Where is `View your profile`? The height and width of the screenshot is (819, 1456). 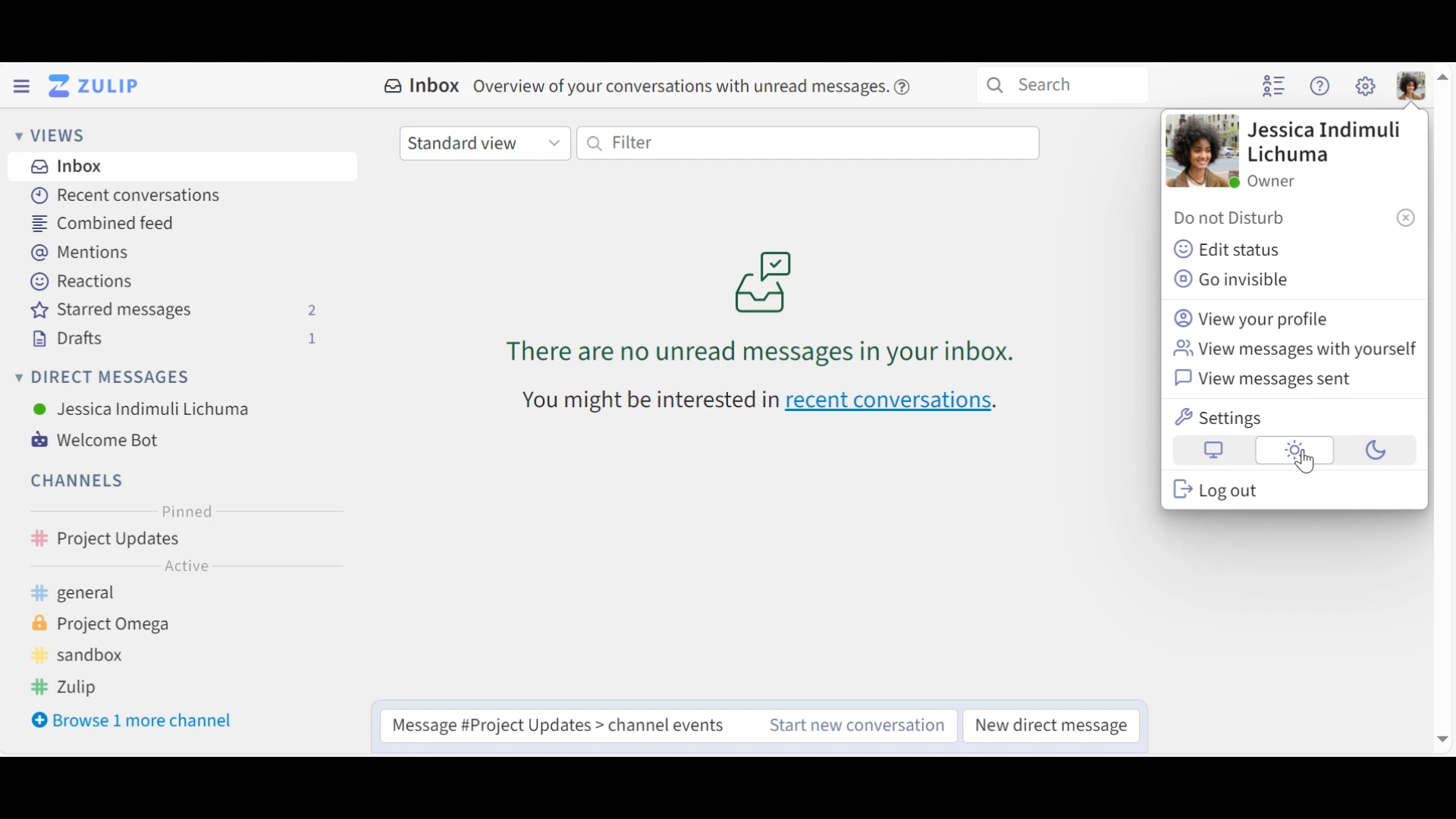 View your profile is located at coordinates (1254, 318).